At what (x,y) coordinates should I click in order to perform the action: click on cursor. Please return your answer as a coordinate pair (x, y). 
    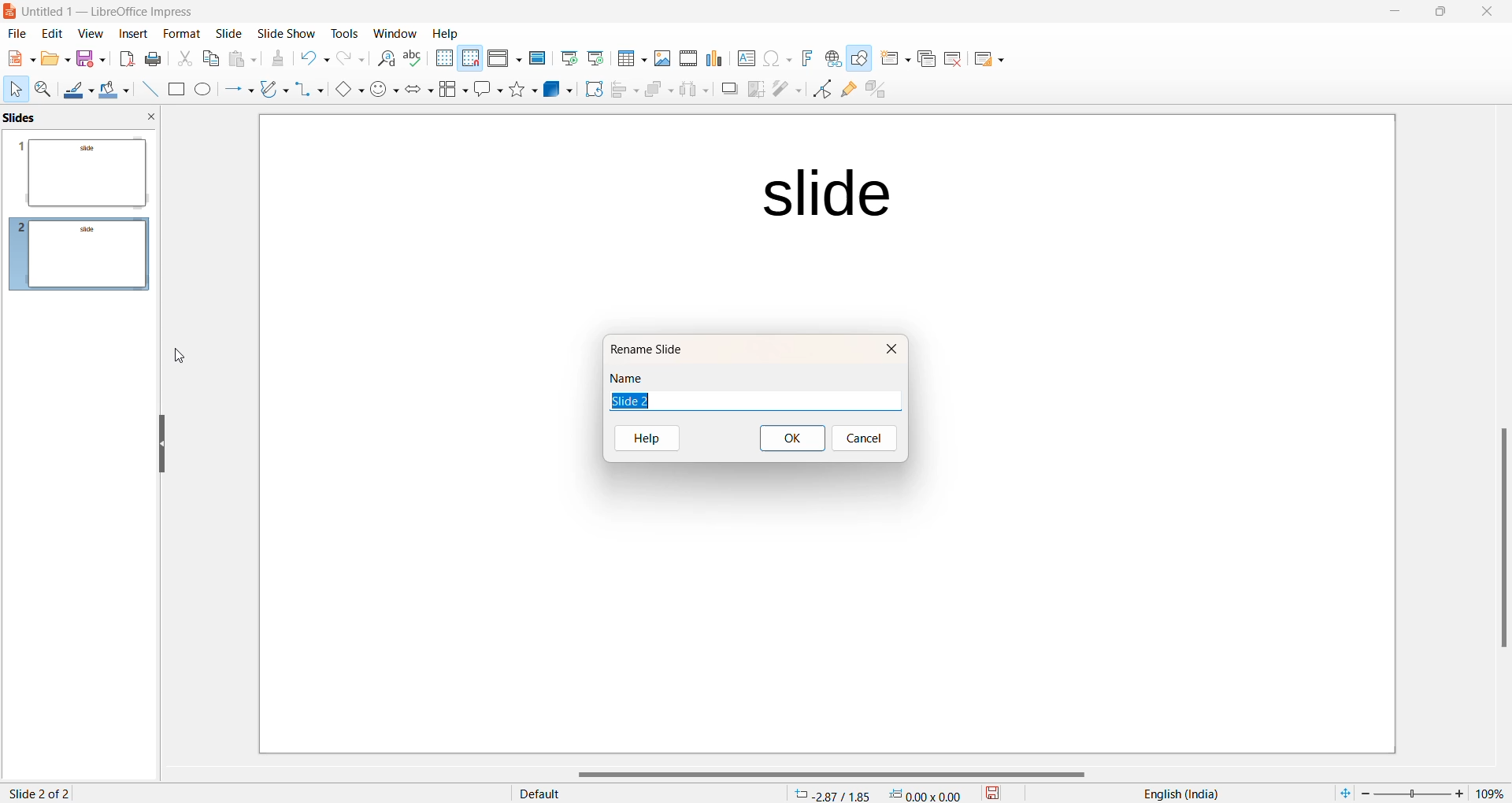
    Looking at the image, I should click on (180, 358).